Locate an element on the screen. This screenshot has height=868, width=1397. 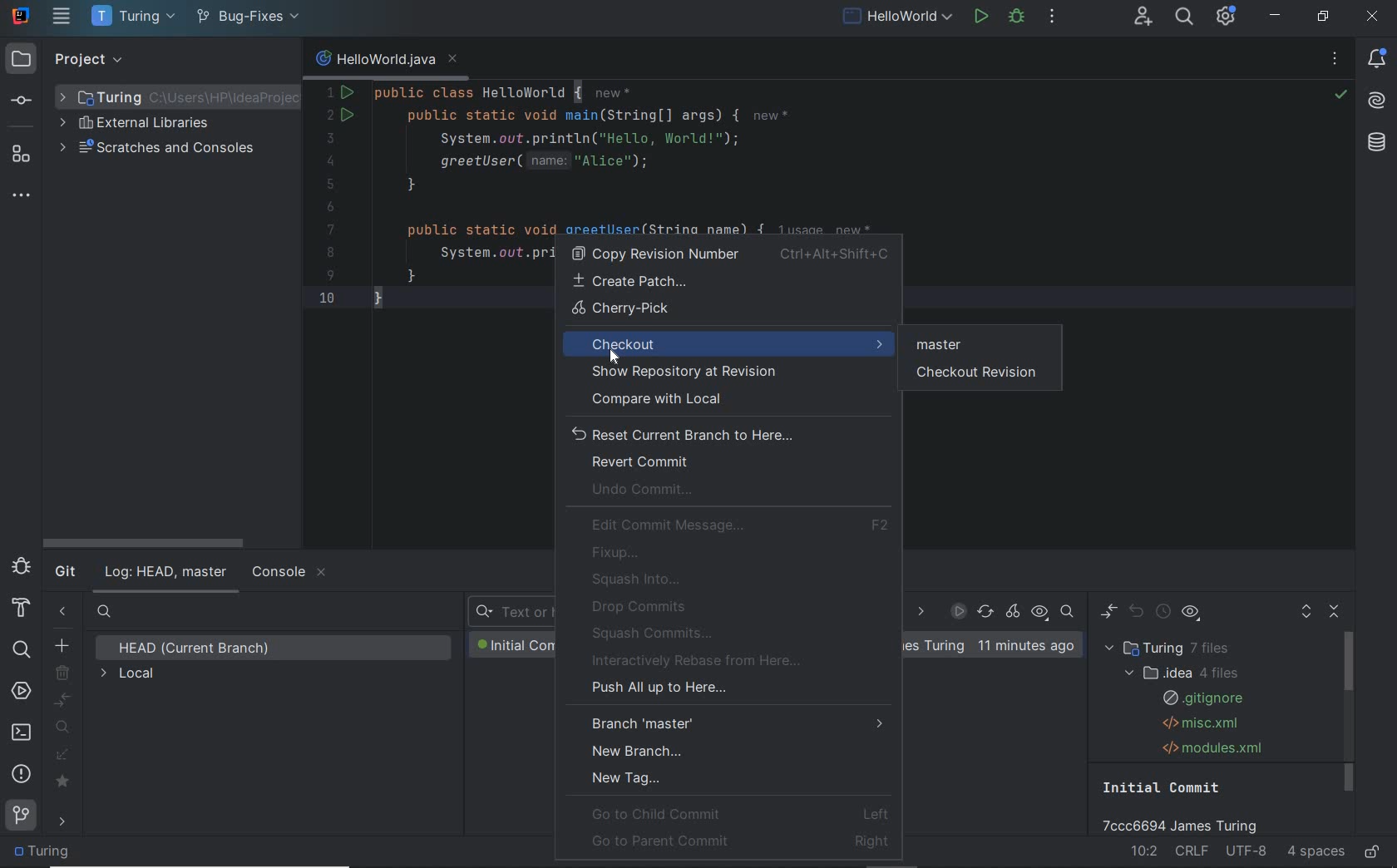
bug-fixes is located at coordinates (247, 18).